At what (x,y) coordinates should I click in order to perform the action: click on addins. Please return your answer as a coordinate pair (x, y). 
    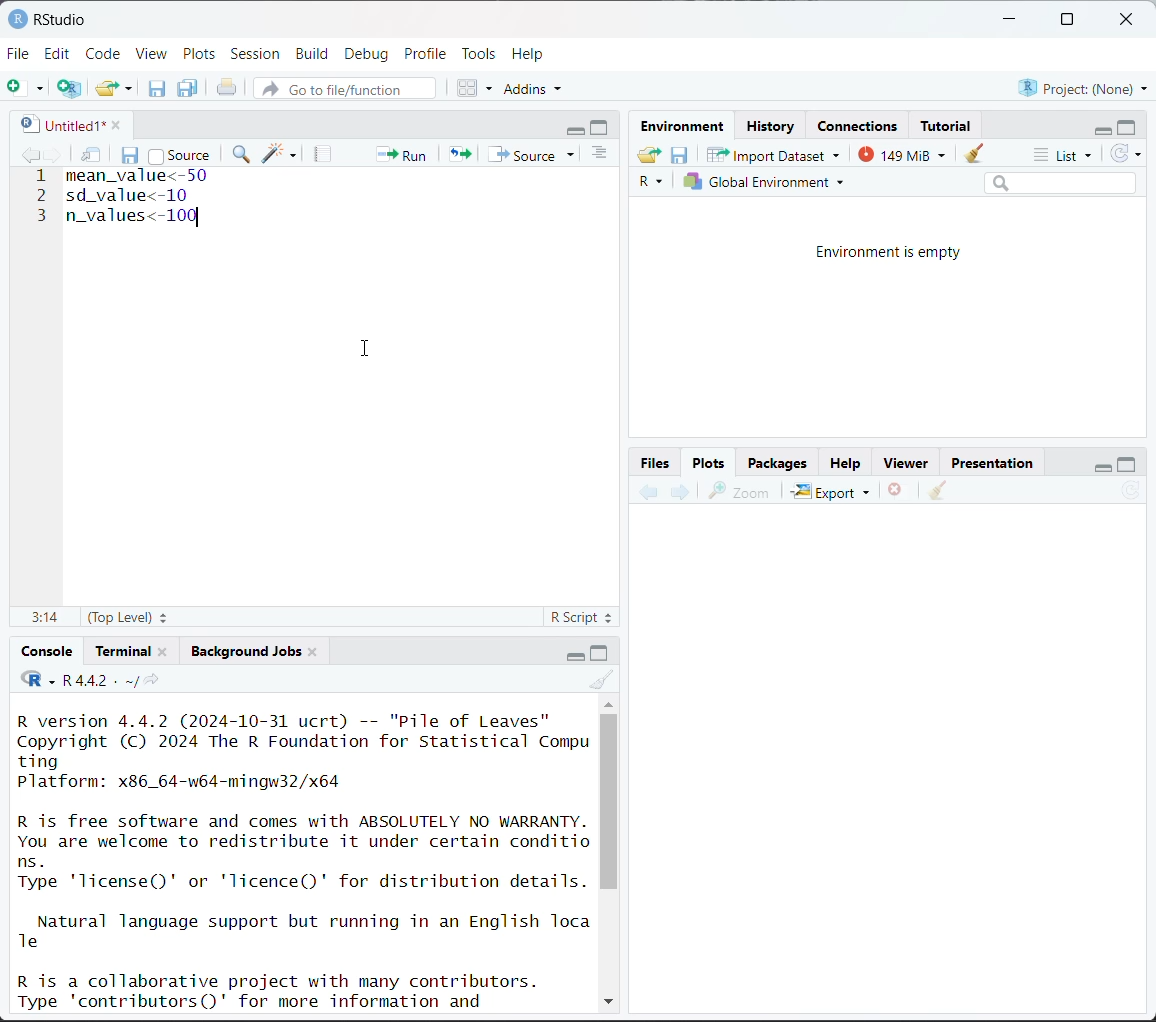
    Looking at the image, I should click on (536, 88).